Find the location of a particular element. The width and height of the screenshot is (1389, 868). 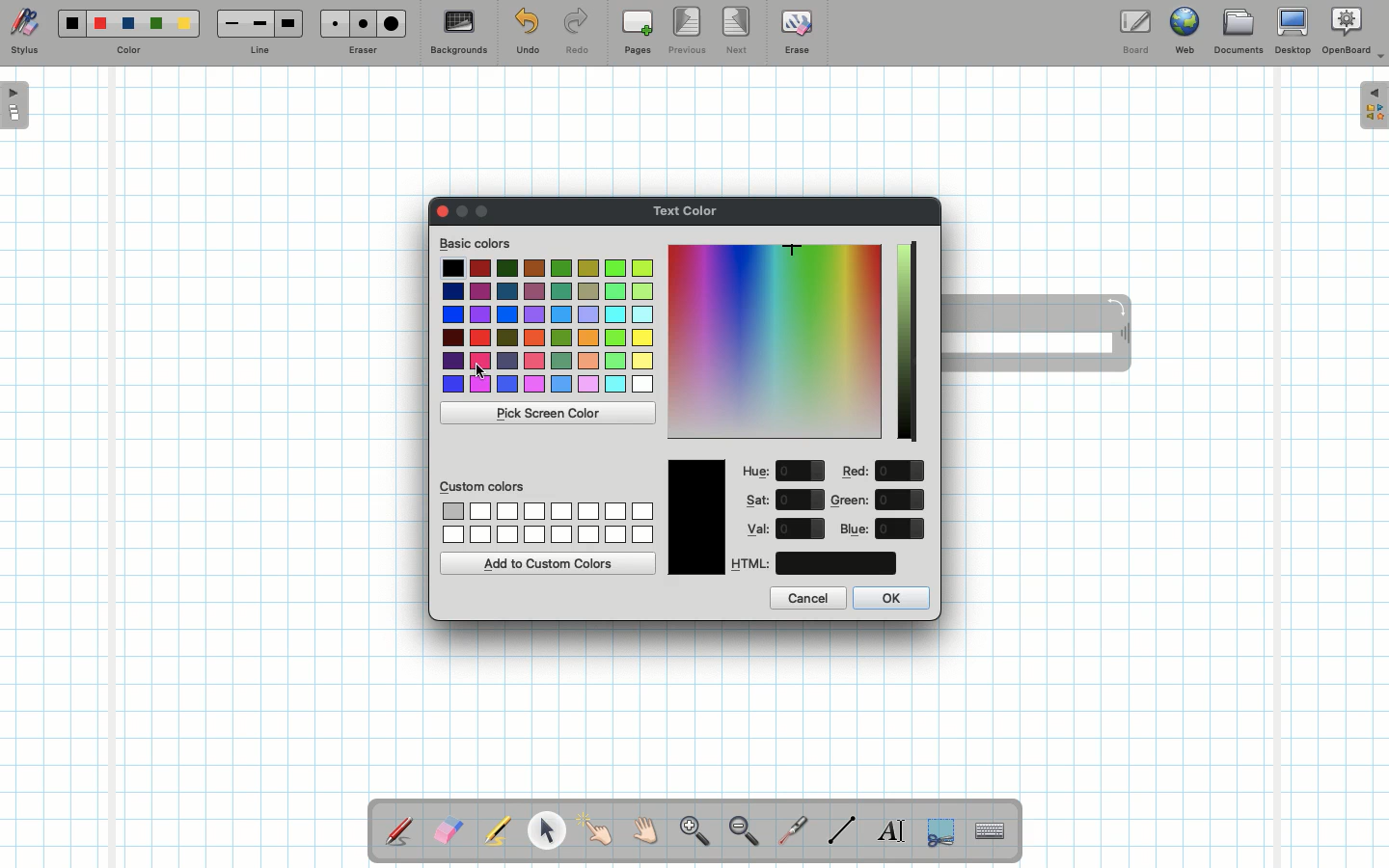

Hue is located at coordinates (757, 472).